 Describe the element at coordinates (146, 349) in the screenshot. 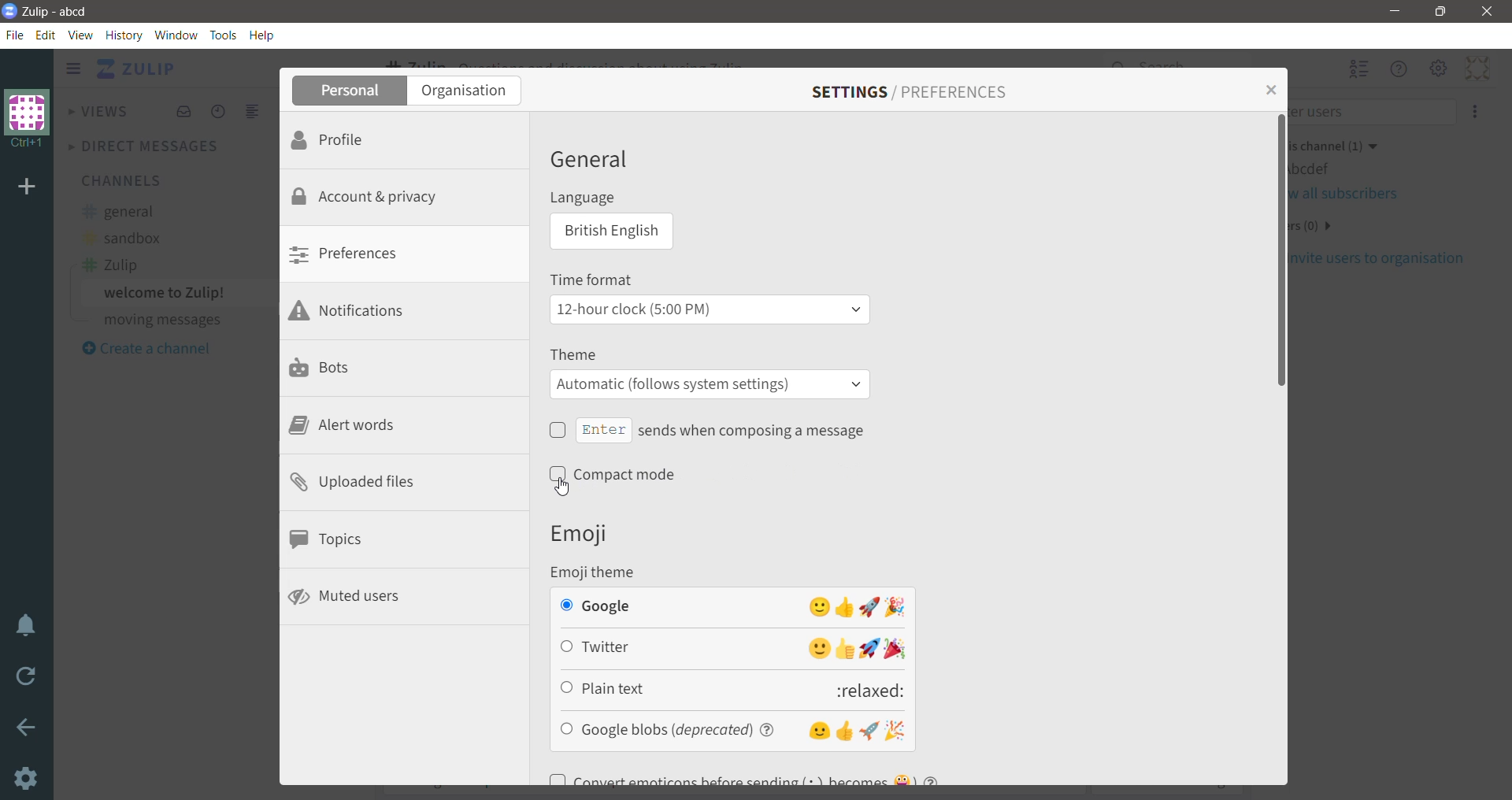

I see `Create a channel` at that location.